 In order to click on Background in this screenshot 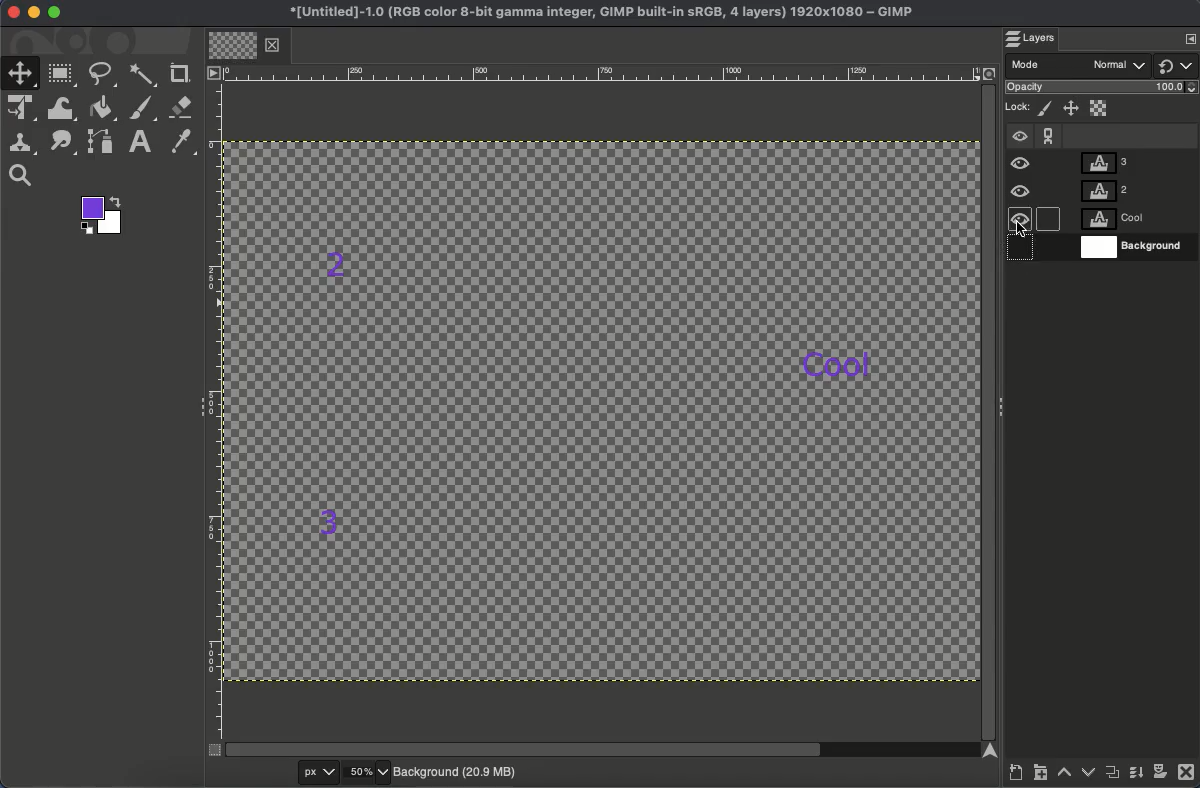, I will do `click(457, 770)`.